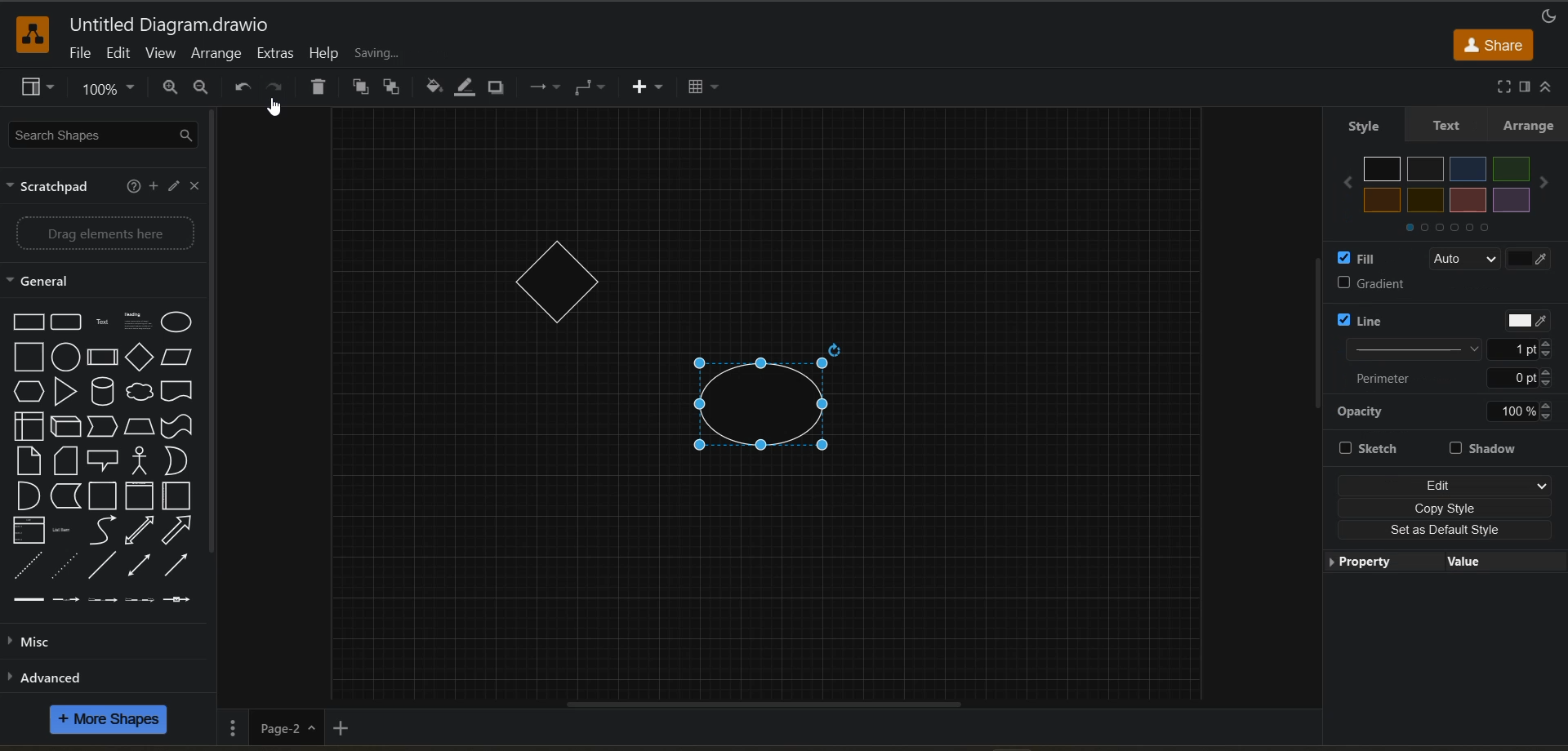  Describe the element at coordinates (140, 600) in the screenshot. I see `connector with 3 labels` at that location.